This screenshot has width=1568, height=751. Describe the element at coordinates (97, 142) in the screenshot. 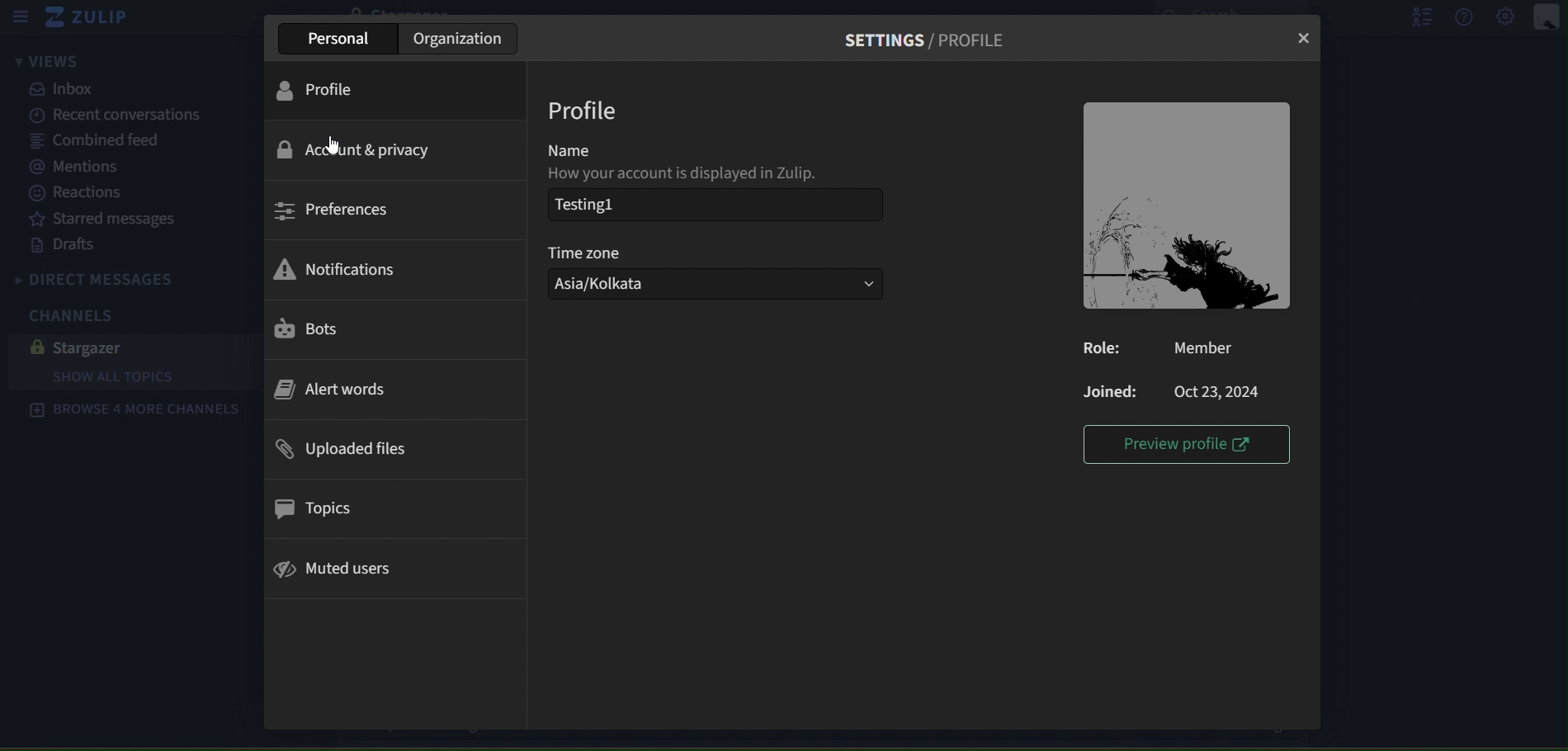

I see `combined feed` at that location.